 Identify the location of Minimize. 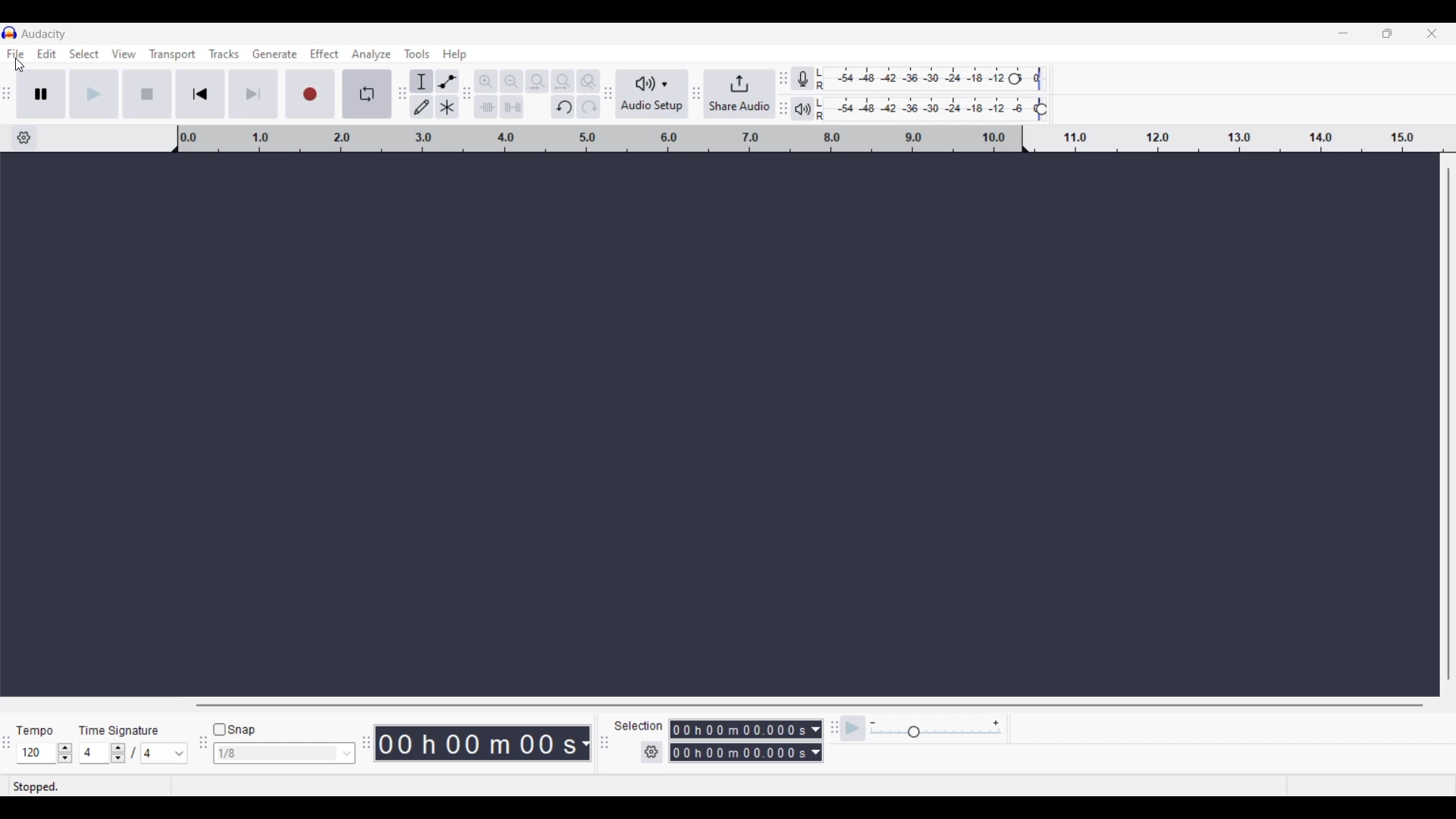
(1343, 33).